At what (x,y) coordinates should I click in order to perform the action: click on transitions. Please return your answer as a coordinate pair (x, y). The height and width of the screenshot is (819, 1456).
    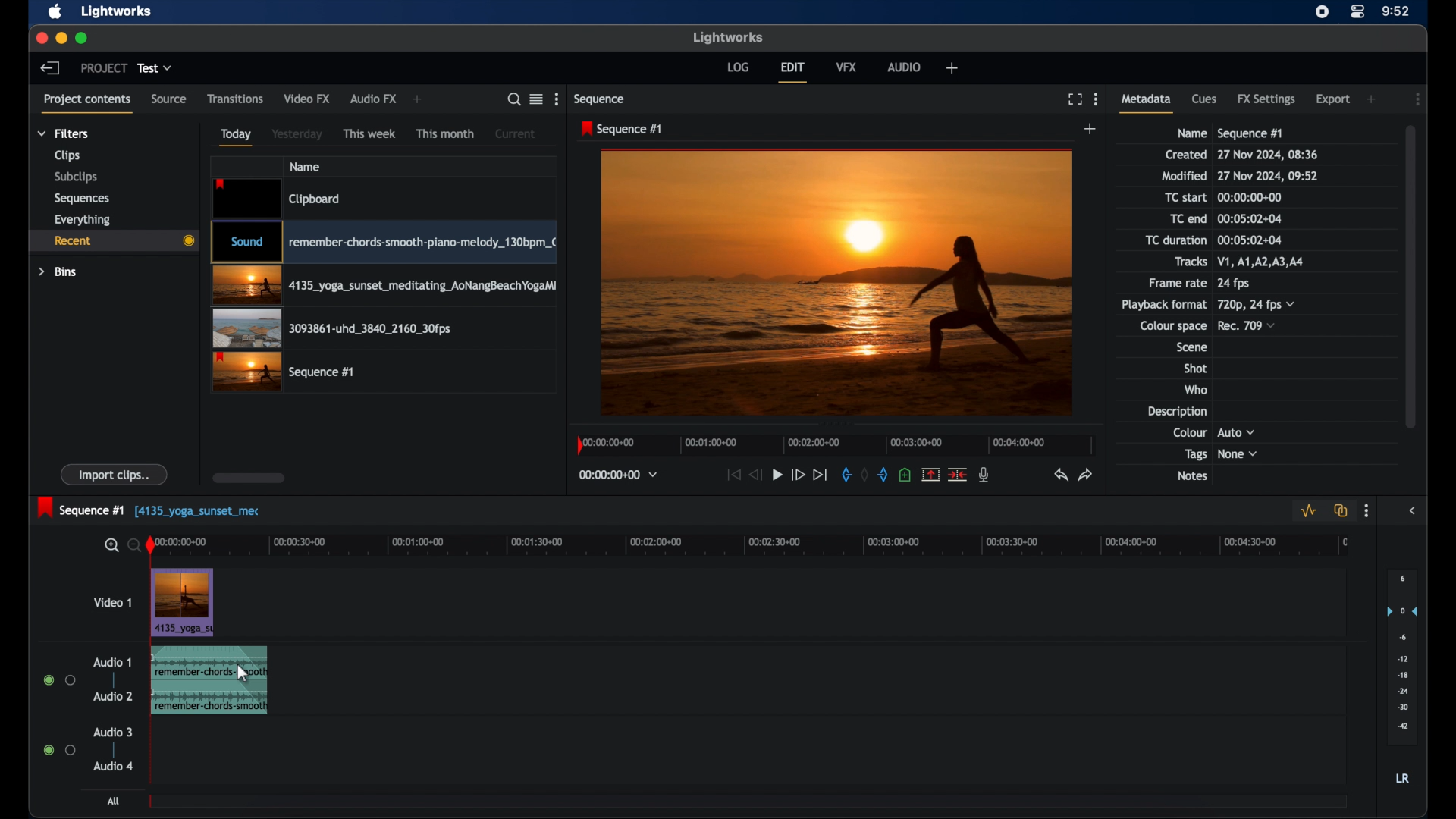
    Looking at the image, I should click on (235, 98).